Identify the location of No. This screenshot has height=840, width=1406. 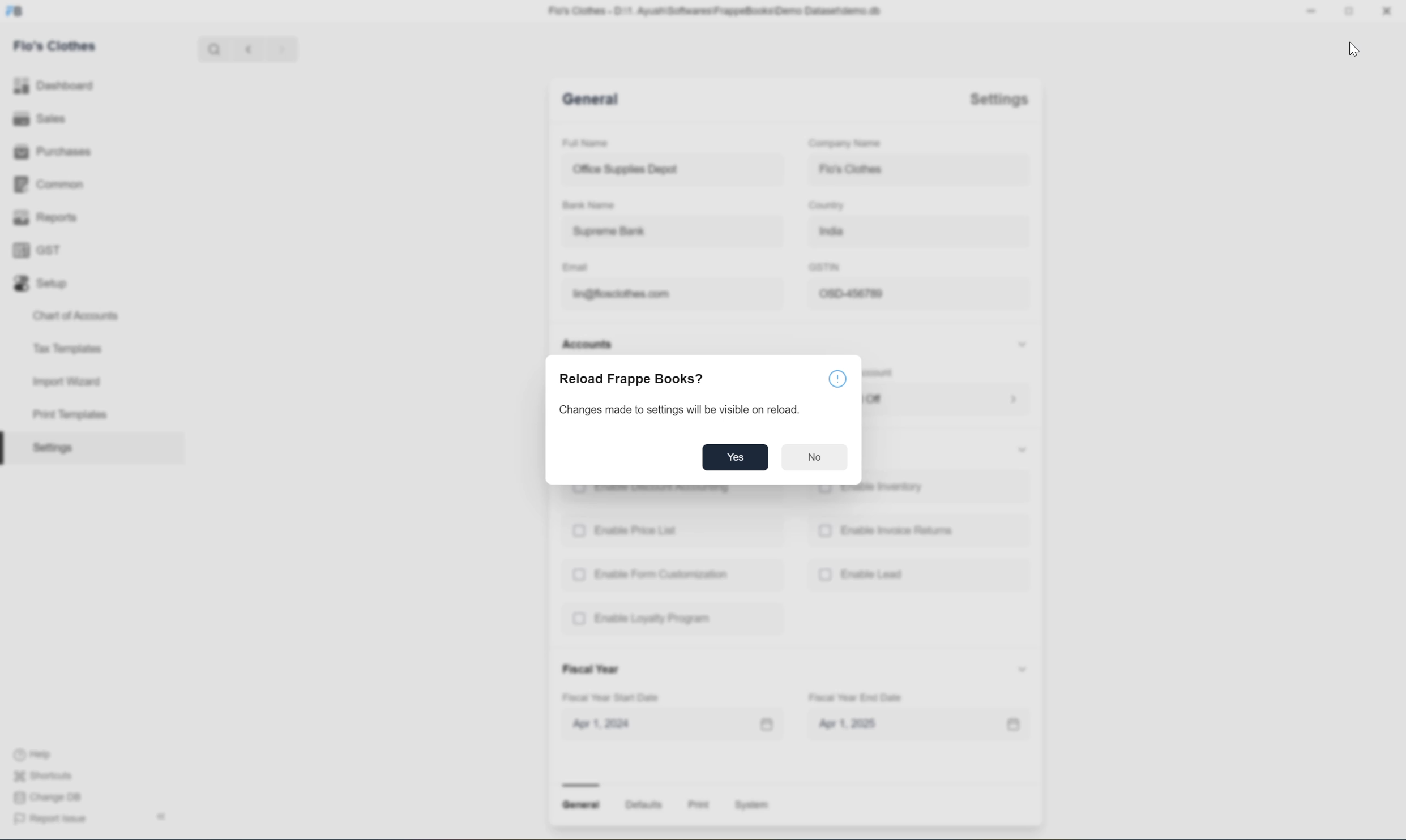
(816, 457).